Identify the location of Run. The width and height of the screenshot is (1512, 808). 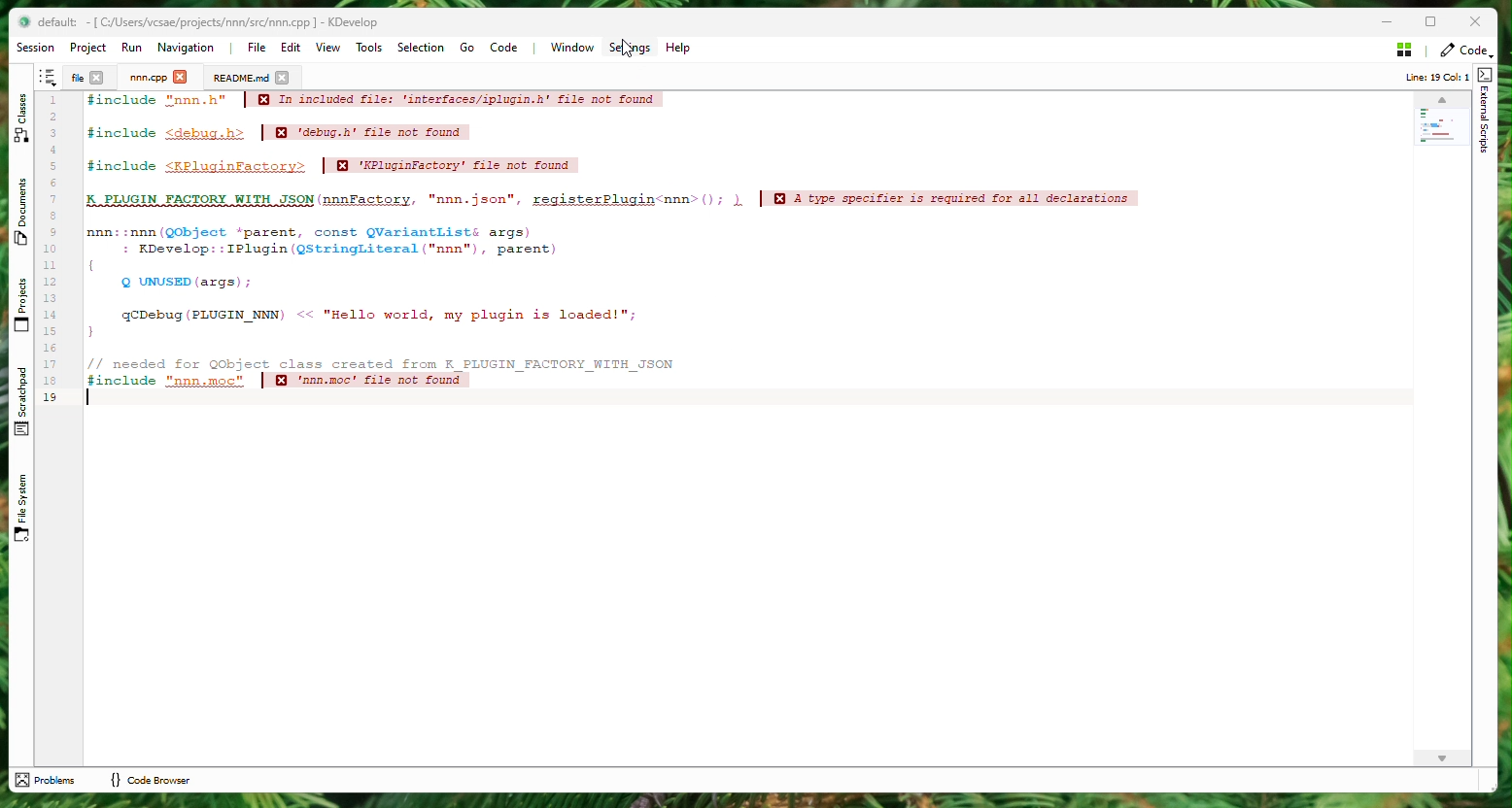
(130, 48).